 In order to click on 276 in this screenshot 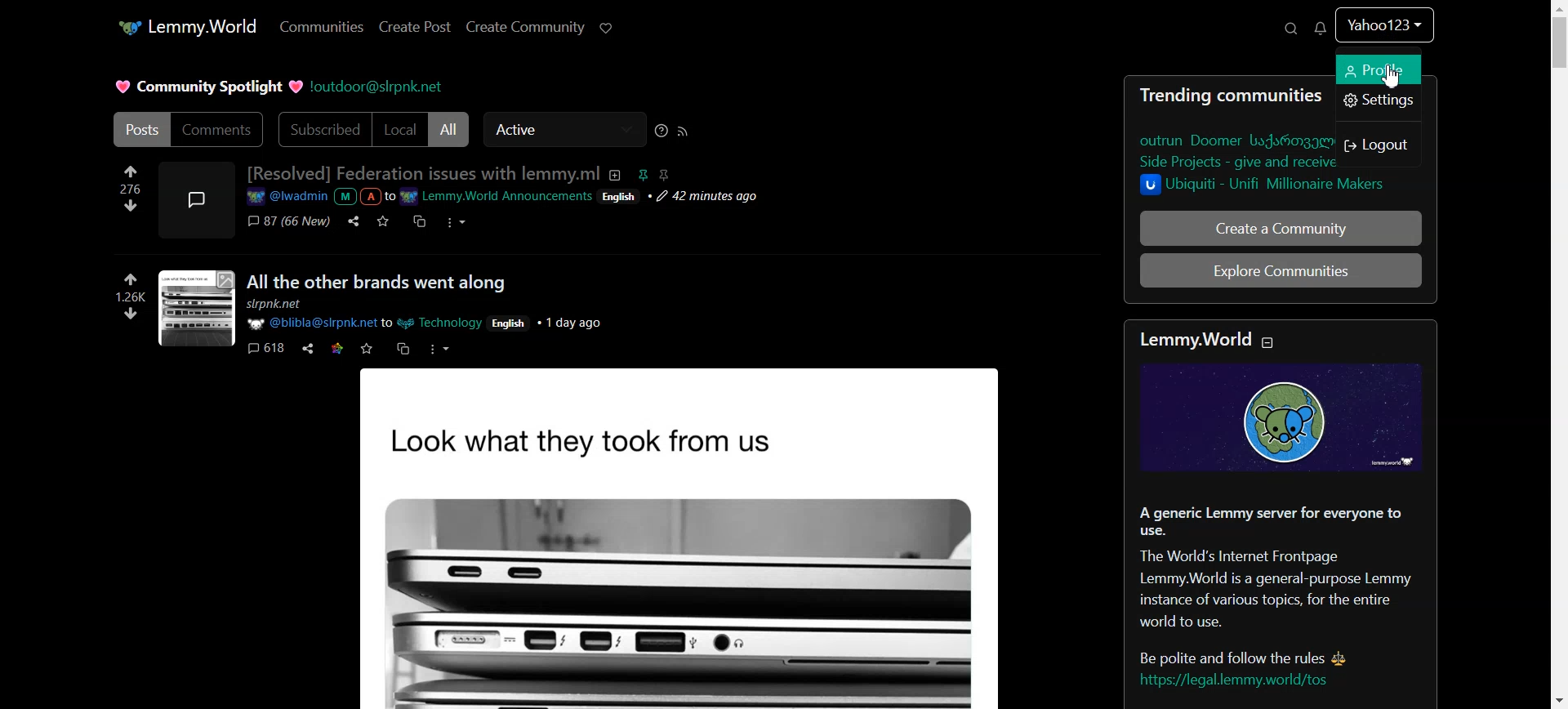, I will do `click(121, 189)`.